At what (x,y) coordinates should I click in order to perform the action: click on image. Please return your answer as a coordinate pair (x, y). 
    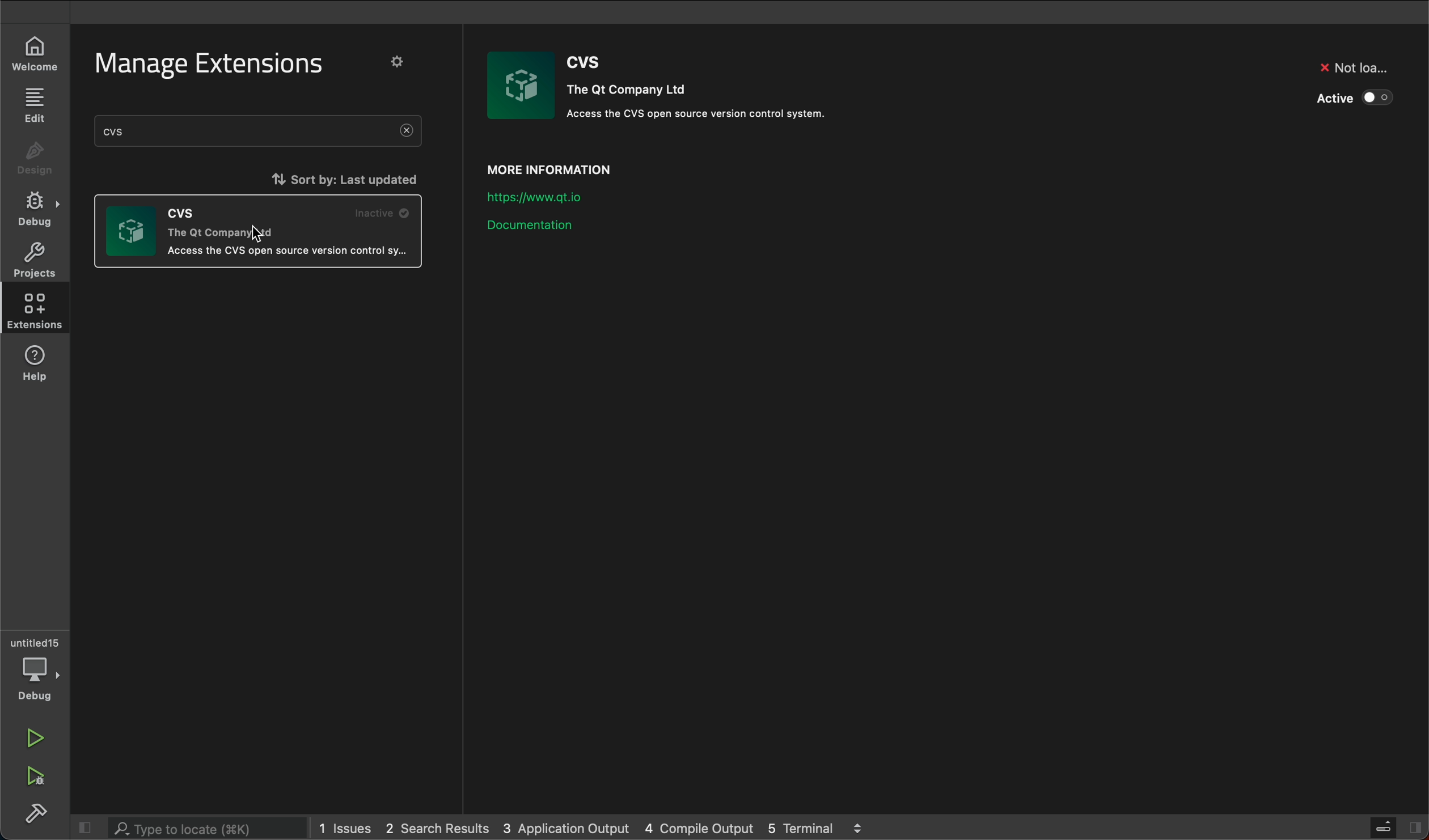
    Looking at the image, I should click on (132, 231).